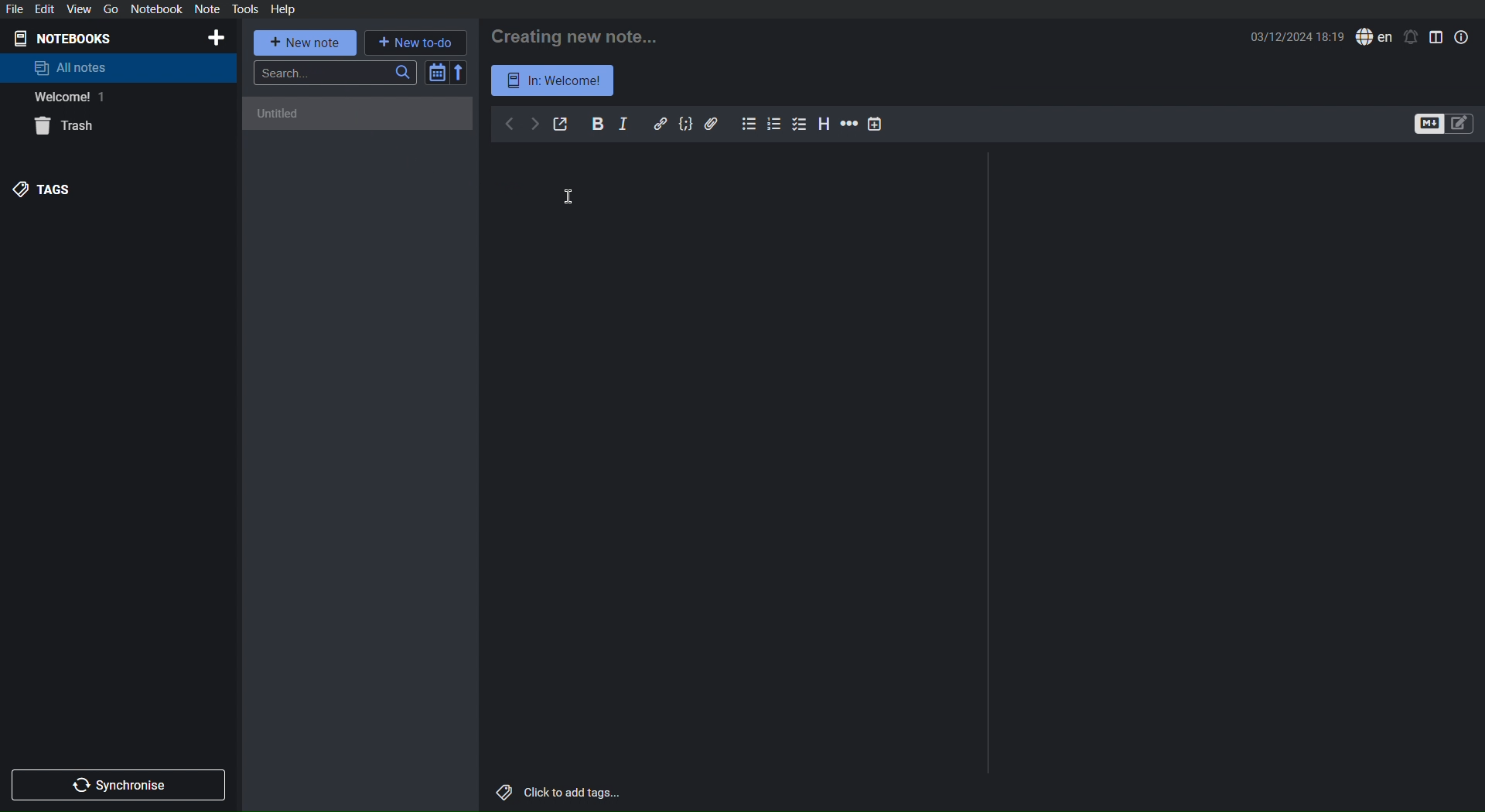 This screenshot has width=1485, height=812. I want to click on Notifications, so click(1411, 37).